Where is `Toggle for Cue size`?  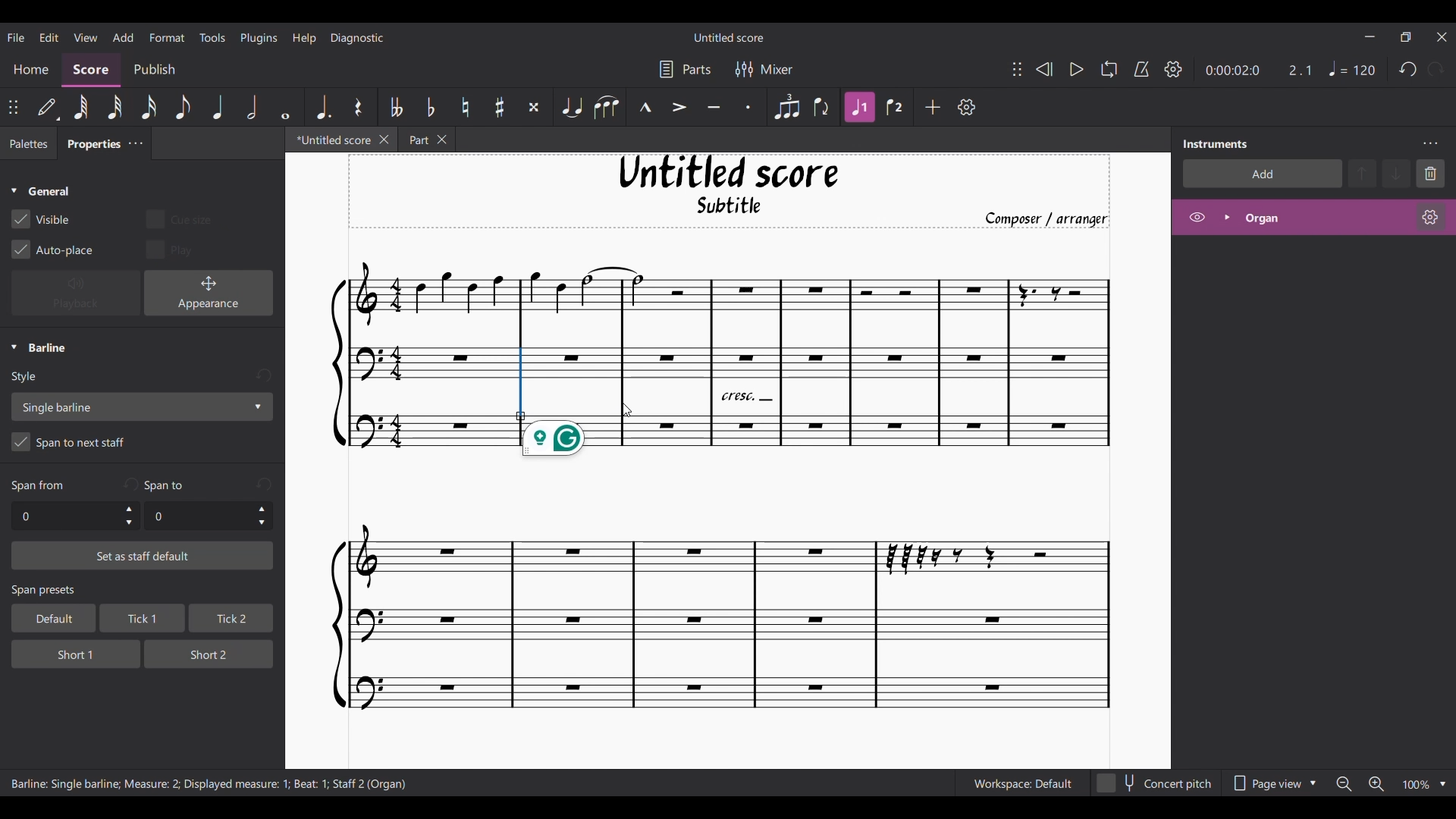 Toggle for Cue size is located at coordinates (178, 218).